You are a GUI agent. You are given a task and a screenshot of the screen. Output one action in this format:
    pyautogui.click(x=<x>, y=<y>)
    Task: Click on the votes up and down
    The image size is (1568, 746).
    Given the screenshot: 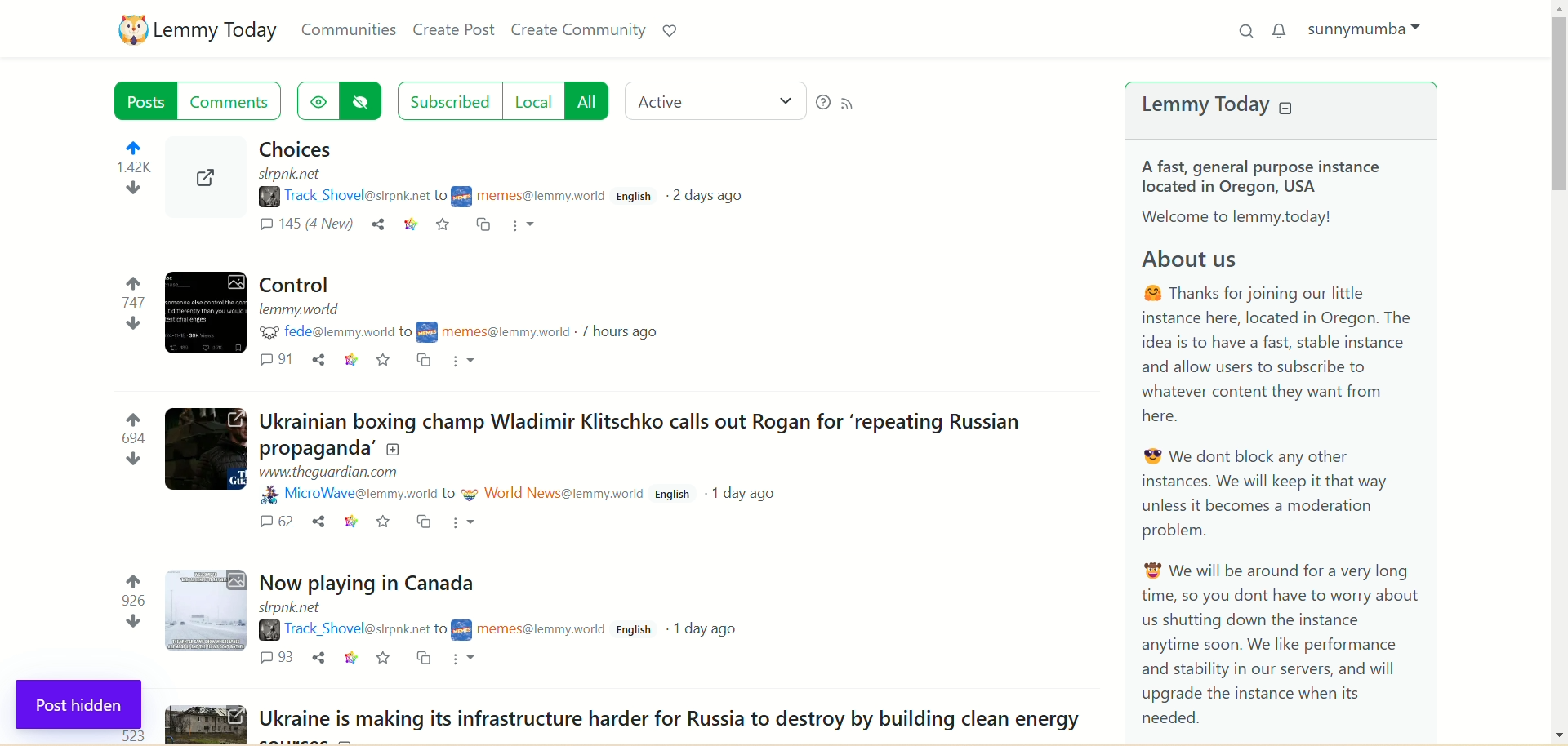 What is the action you would take?
    pyautogui.click(x=122, y=604)
    